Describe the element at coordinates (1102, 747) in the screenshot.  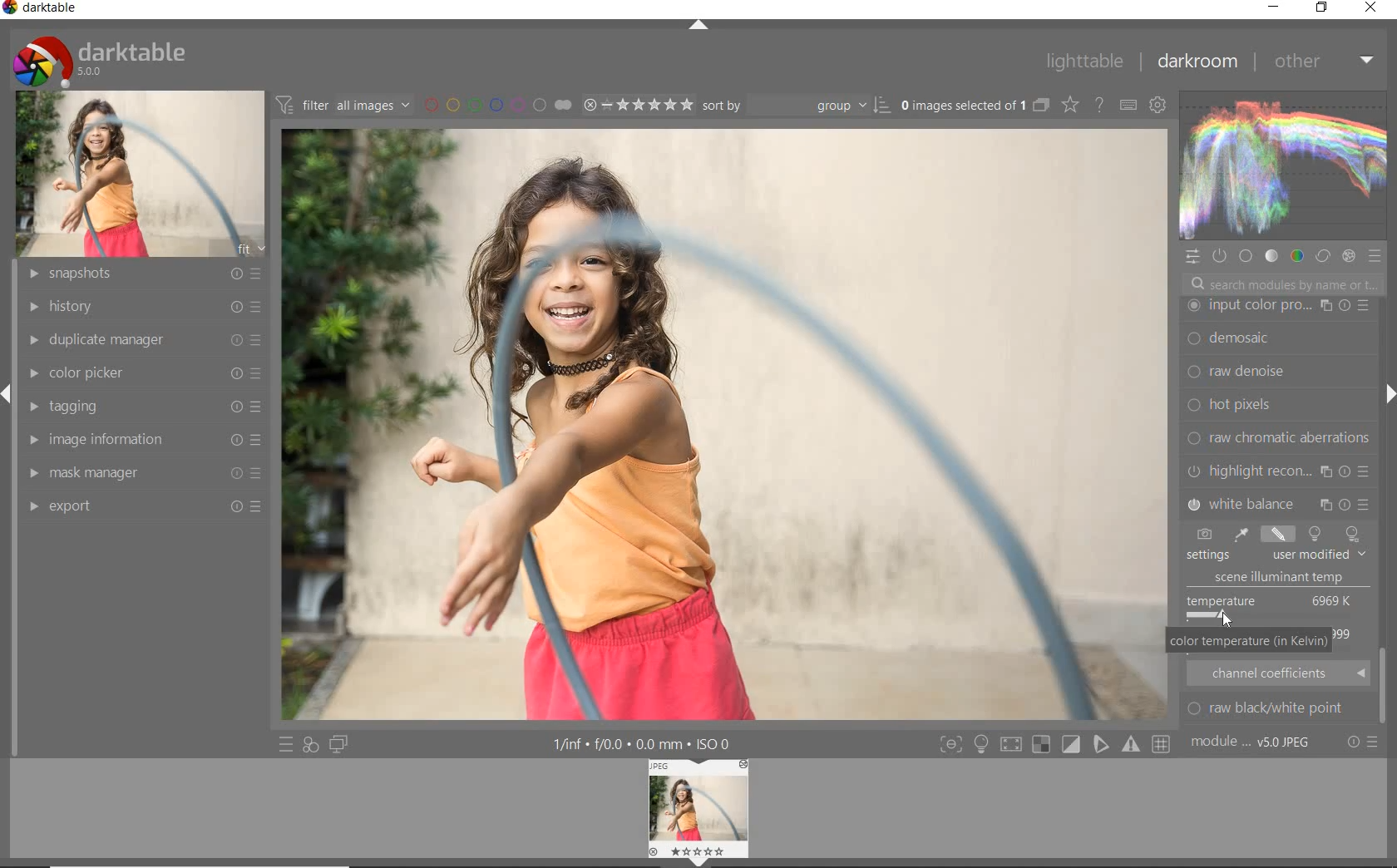
I see `toggle mode ` at that location.